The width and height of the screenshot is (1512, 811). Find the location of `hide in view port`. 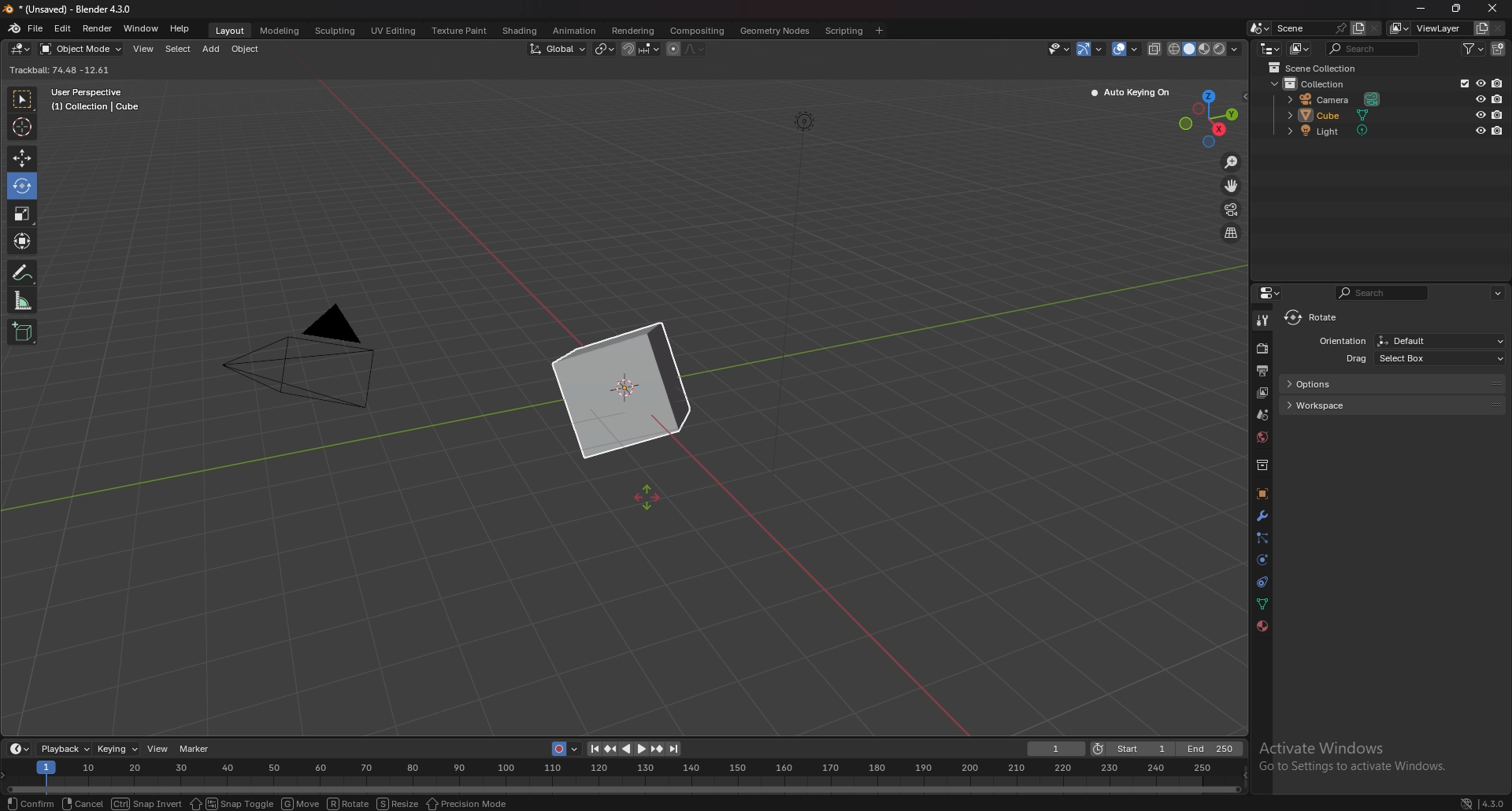

hide in view port is located at coordinates (1481, 98).